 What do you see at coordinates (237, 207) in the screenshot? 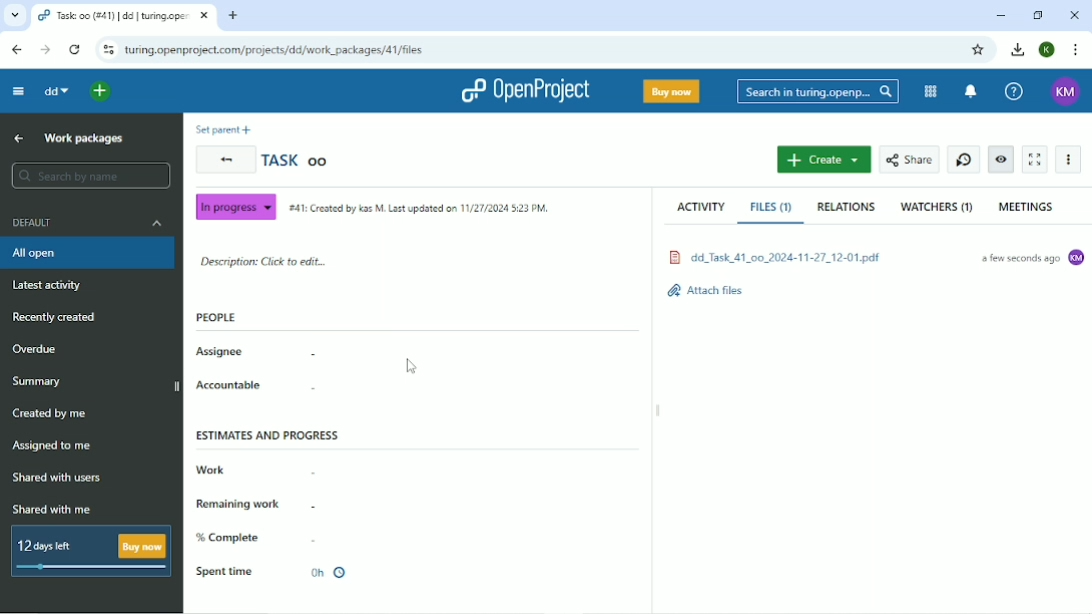
I see `In progress` at bounding box center [237, 207].